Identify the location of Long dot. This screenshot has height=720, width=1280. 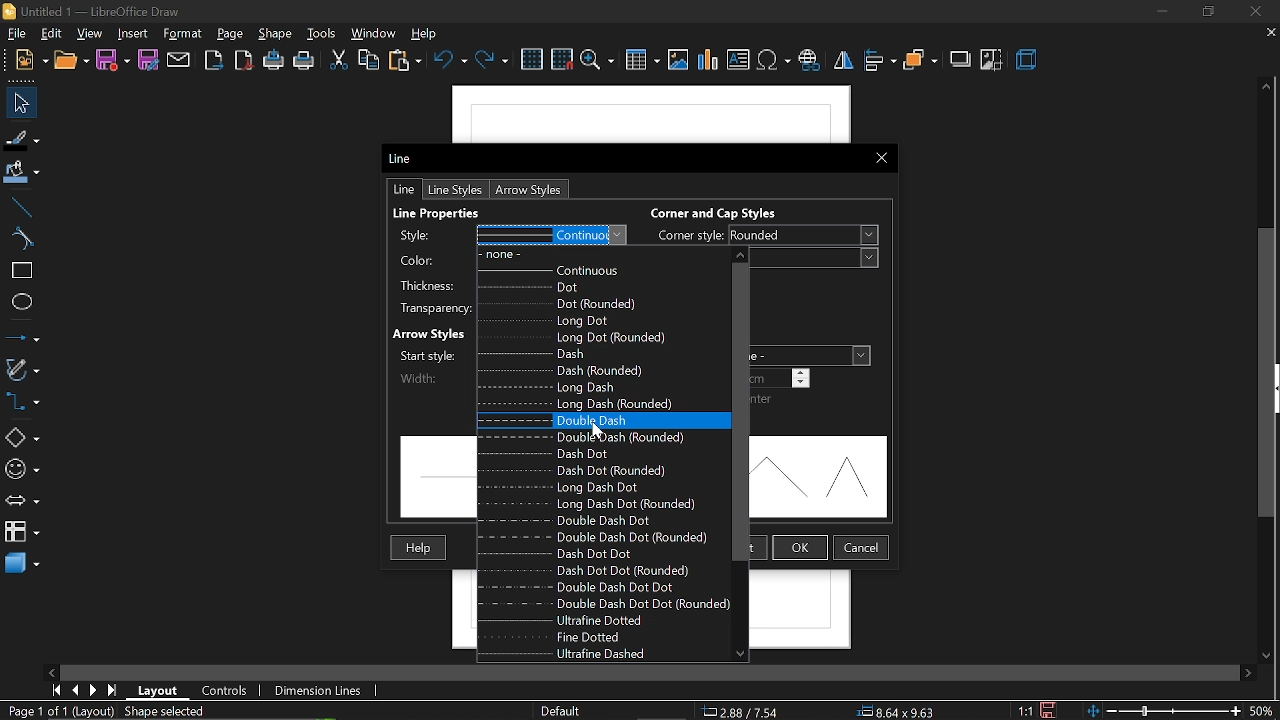
(600, 319).